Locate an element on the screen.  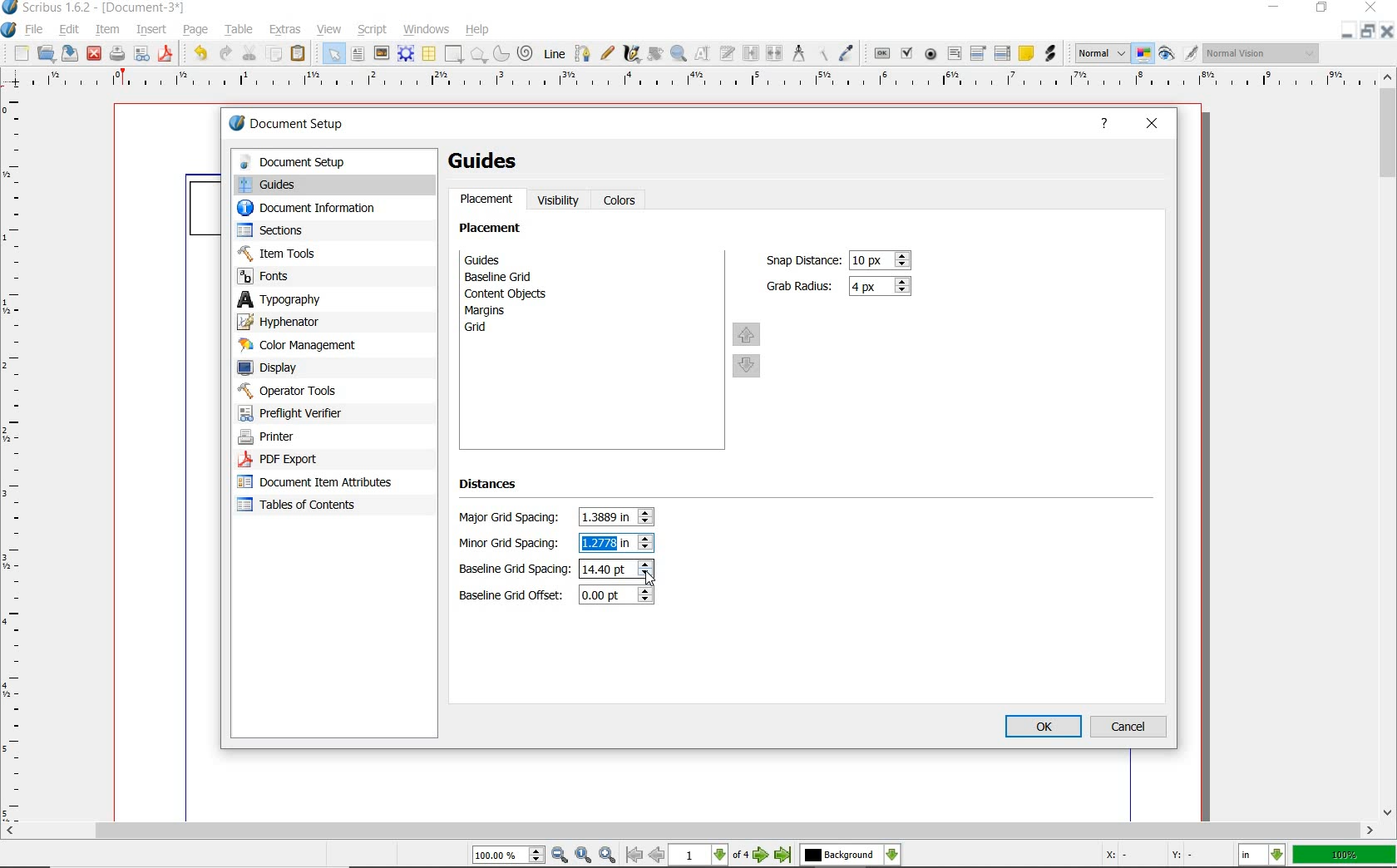
zoom out is located at coordinates (560, 856).